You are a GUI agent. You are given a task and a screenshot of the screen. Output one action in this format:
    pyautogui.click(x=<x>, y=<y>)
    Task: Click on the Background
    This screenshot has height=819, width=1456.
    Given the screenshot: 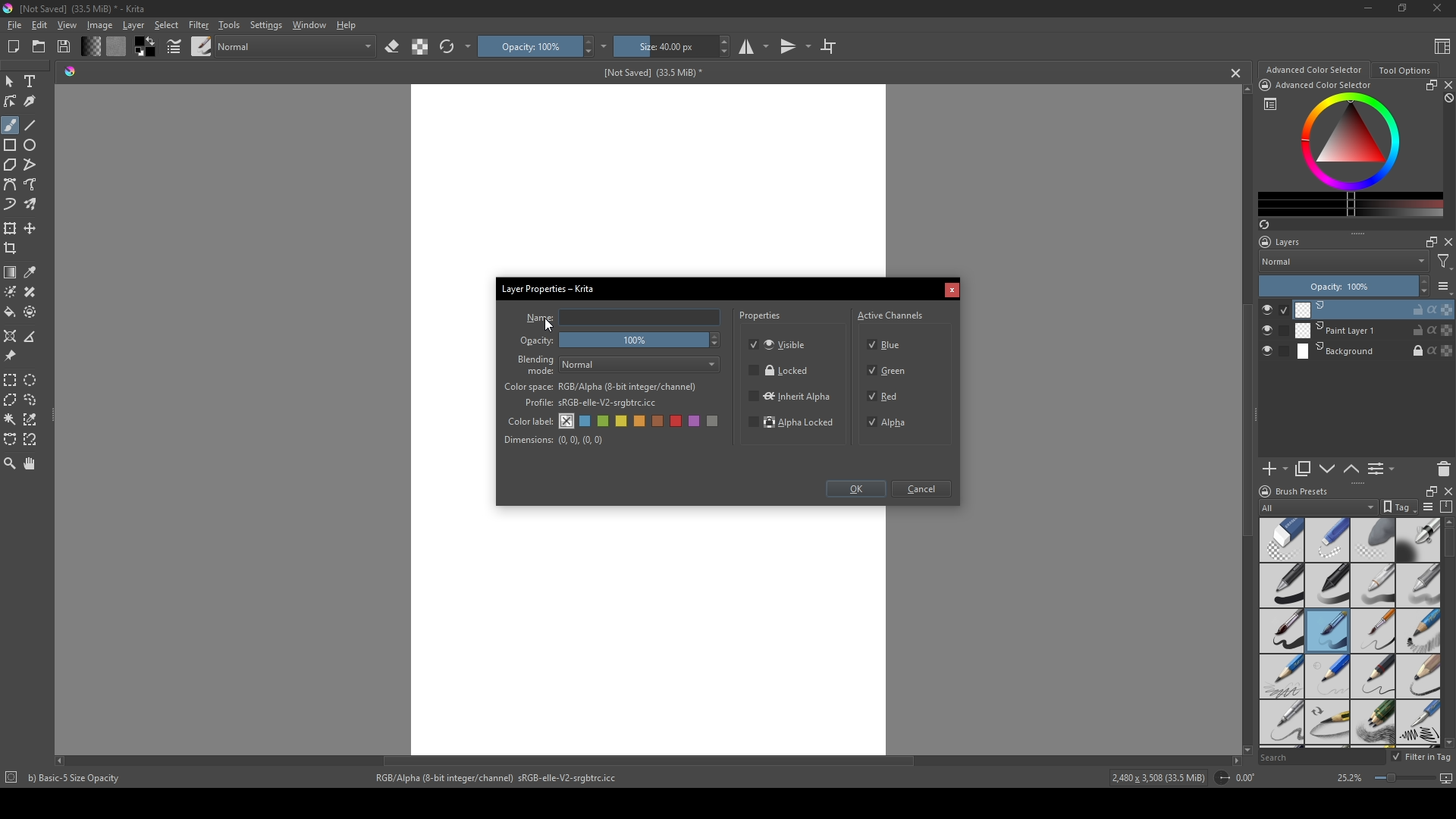 What is the action you would take?
    pyautogui.click(x=1375, y=352)
    